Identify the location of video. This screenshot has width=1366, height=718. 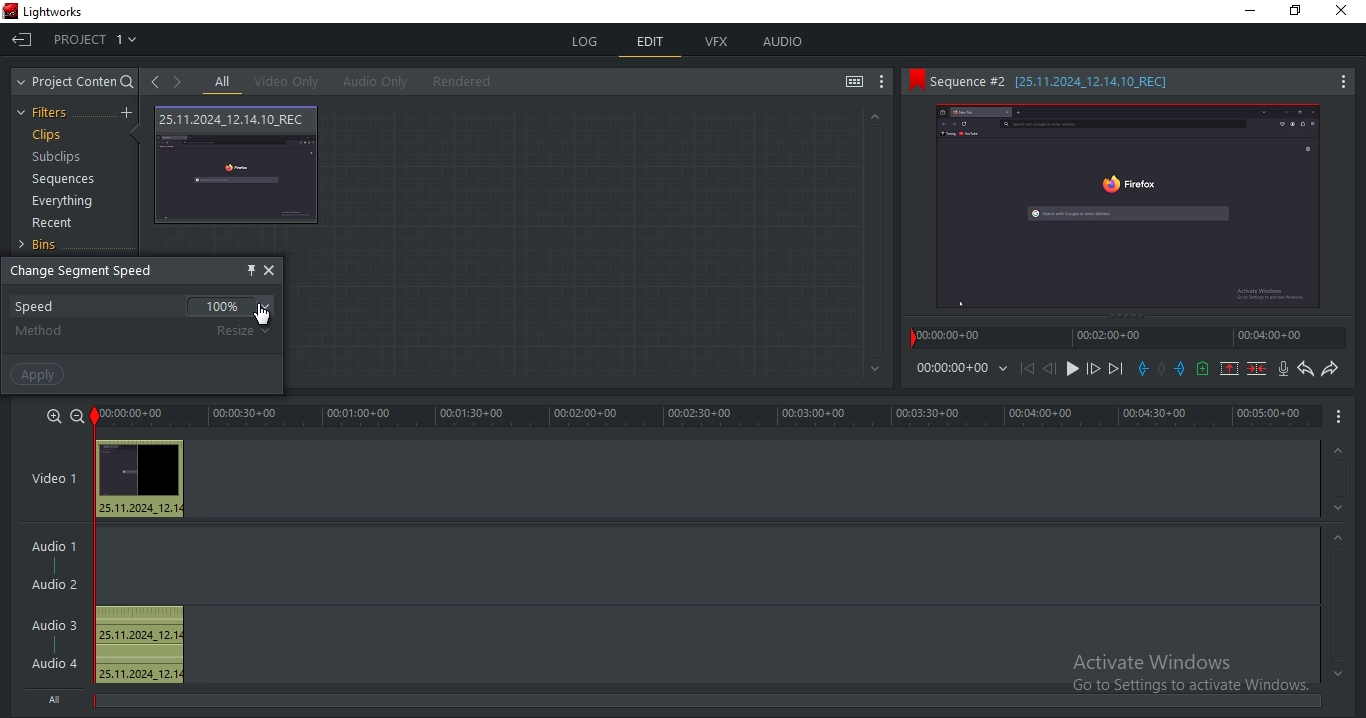
(62, 480).